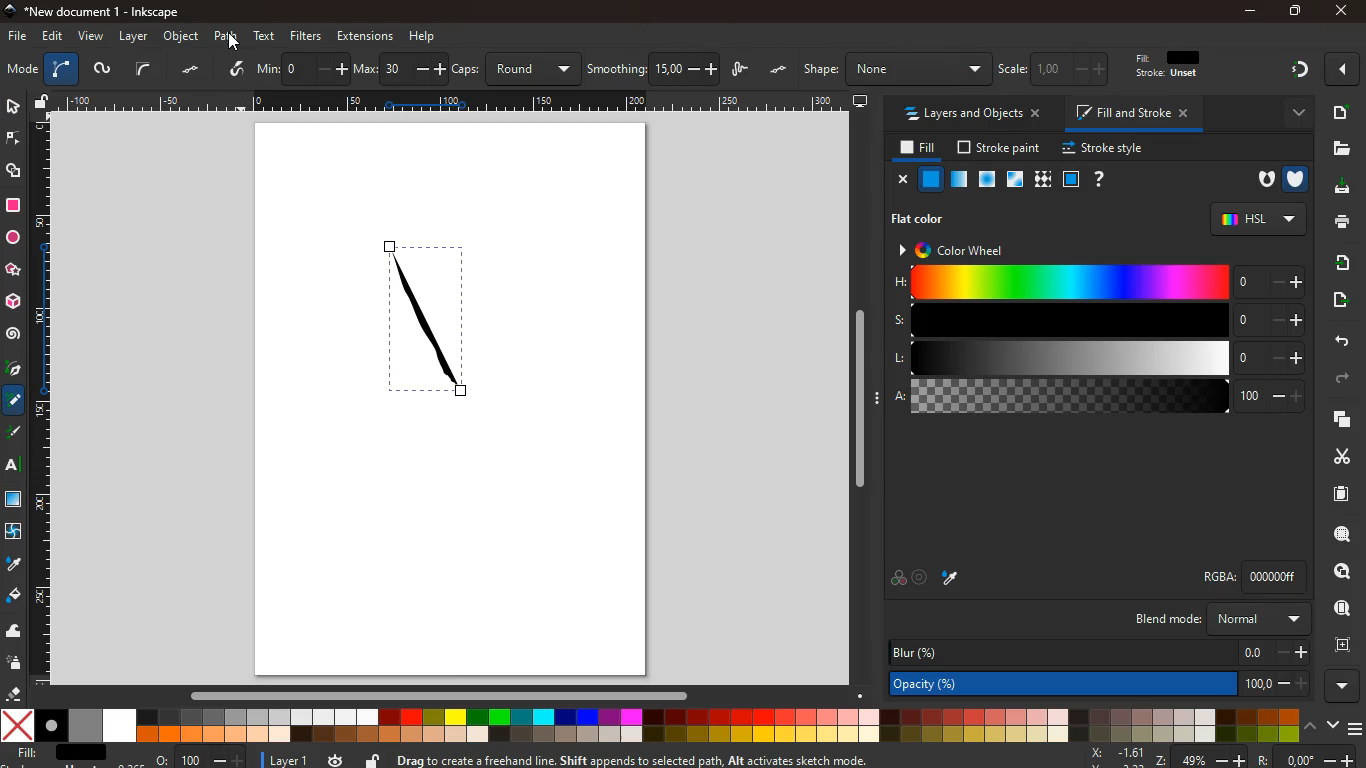 The height and width of the screenshot is (768, 1366). Describe the element at coordinates (306, 36) in the screenshot. I see `filters` at that location.